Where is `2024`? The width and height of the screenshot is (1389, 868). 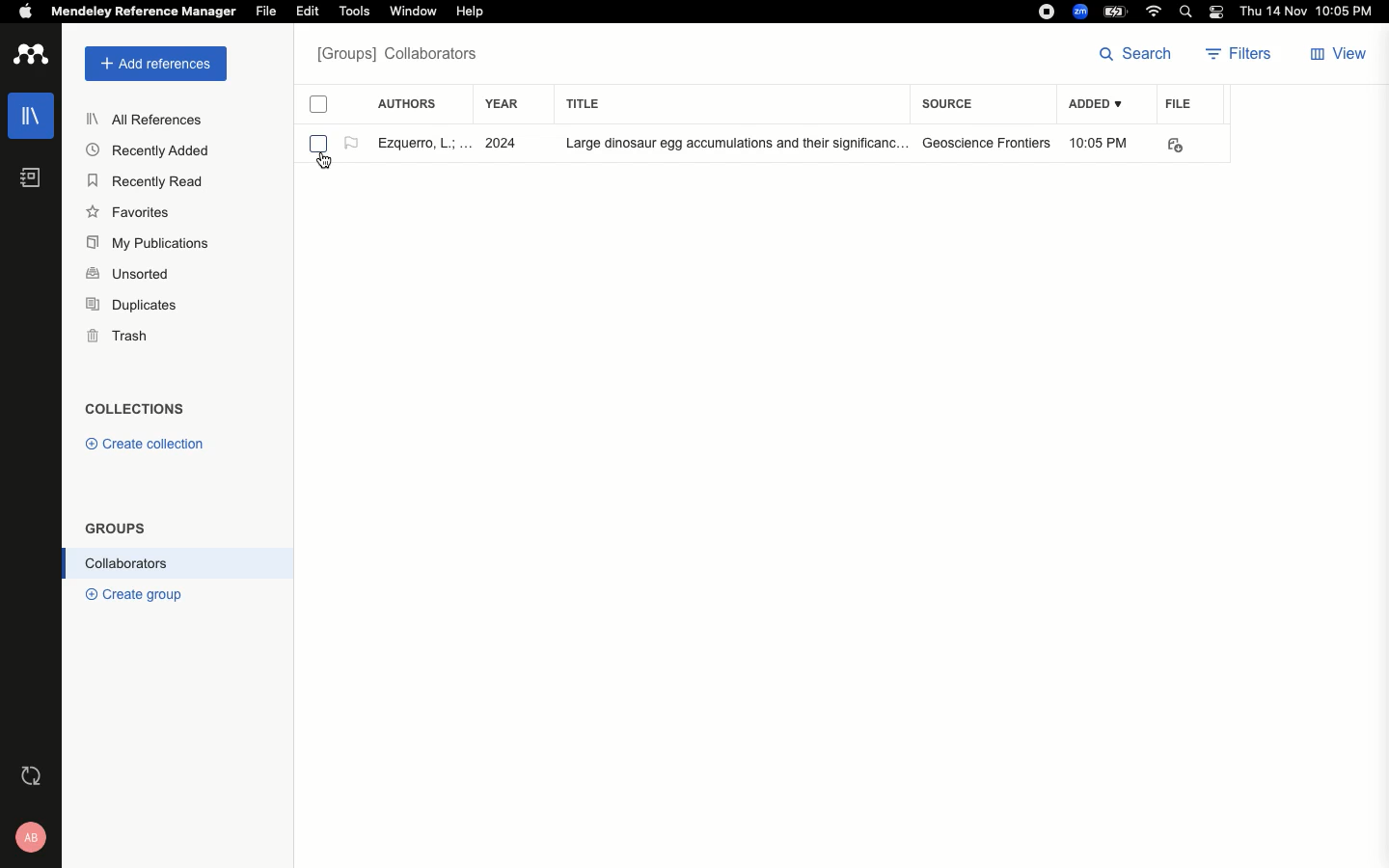 2024 is located at coordinates (505, 144).